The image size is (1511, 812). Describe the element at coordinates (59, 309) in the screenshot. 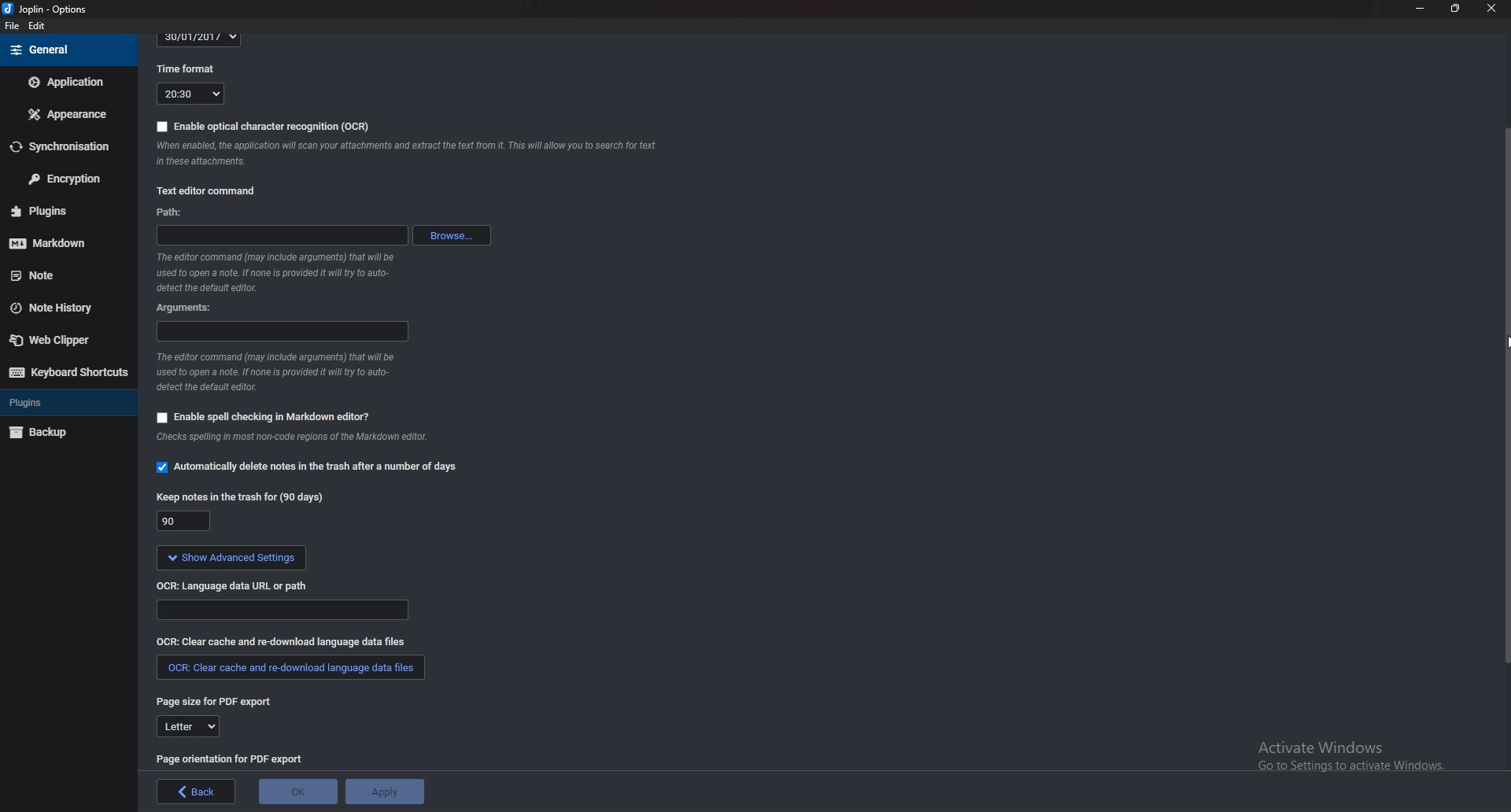

I see `Note history` at that location.